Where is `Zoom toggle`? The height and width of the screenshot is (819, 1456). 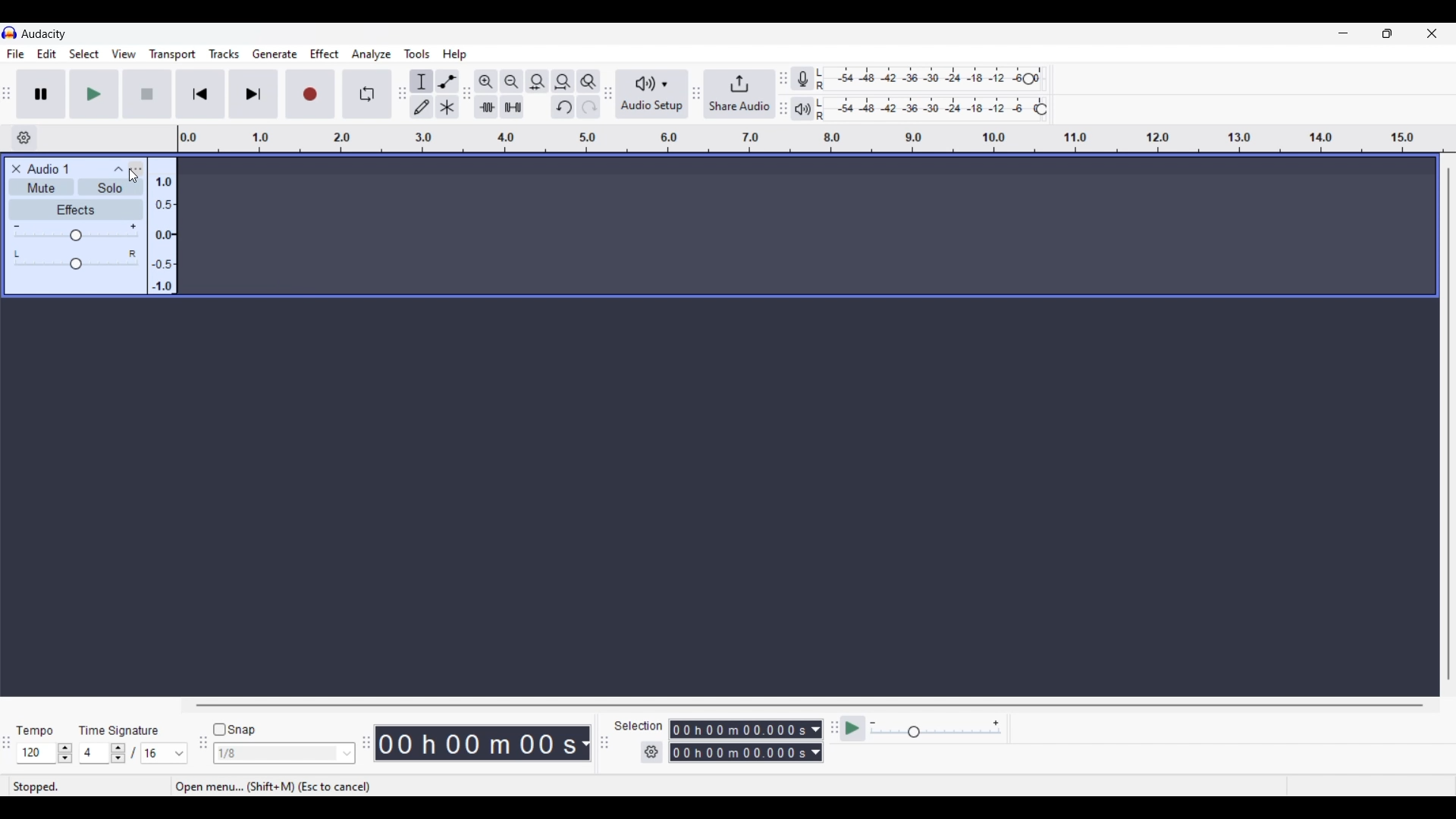
Zoom toggle is located at coordinates (588, 81).